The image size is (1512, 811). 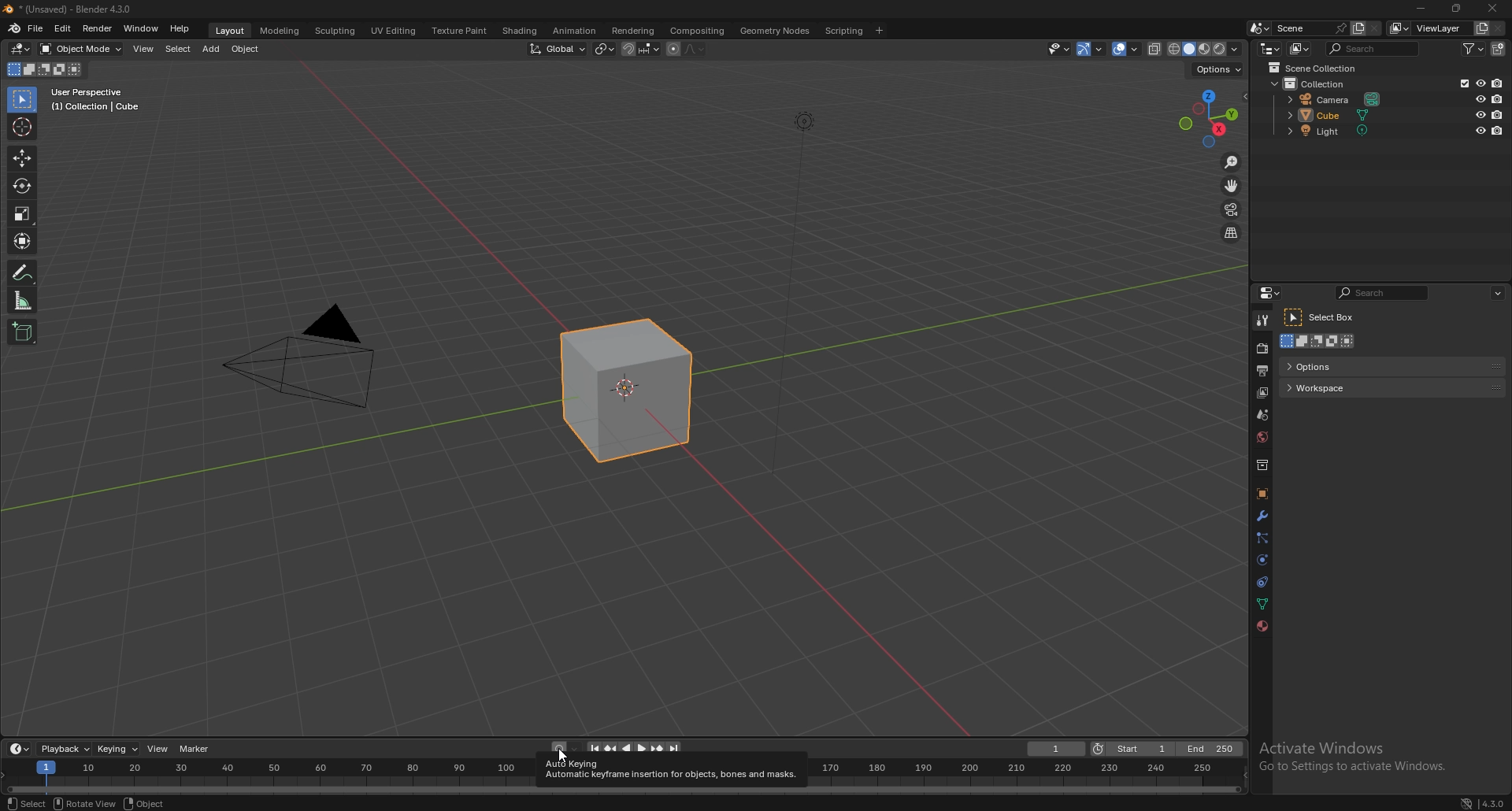 I want to click on collection, so click(x=1262, y=465).